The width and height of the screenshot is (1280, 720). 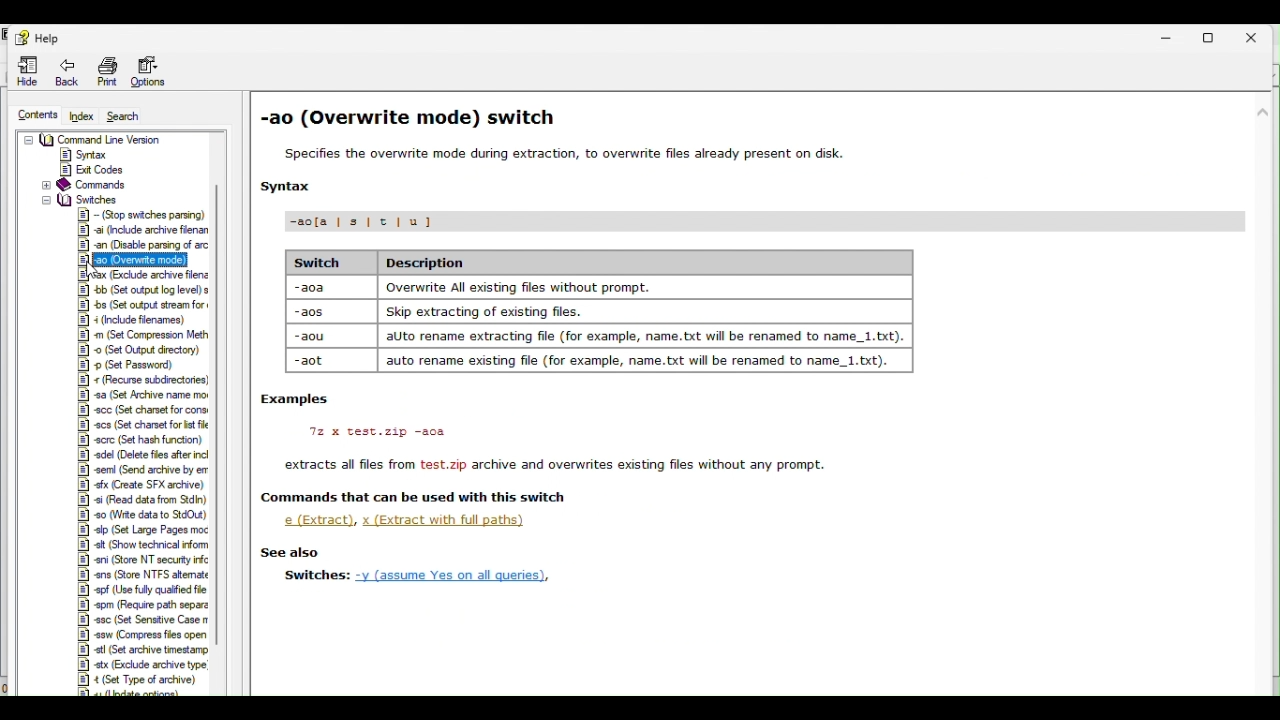 What do you see at coordinates (144, 471) in the screenshot?
I see `5] semi (Send archive by er` at bounding box center [144, 471].